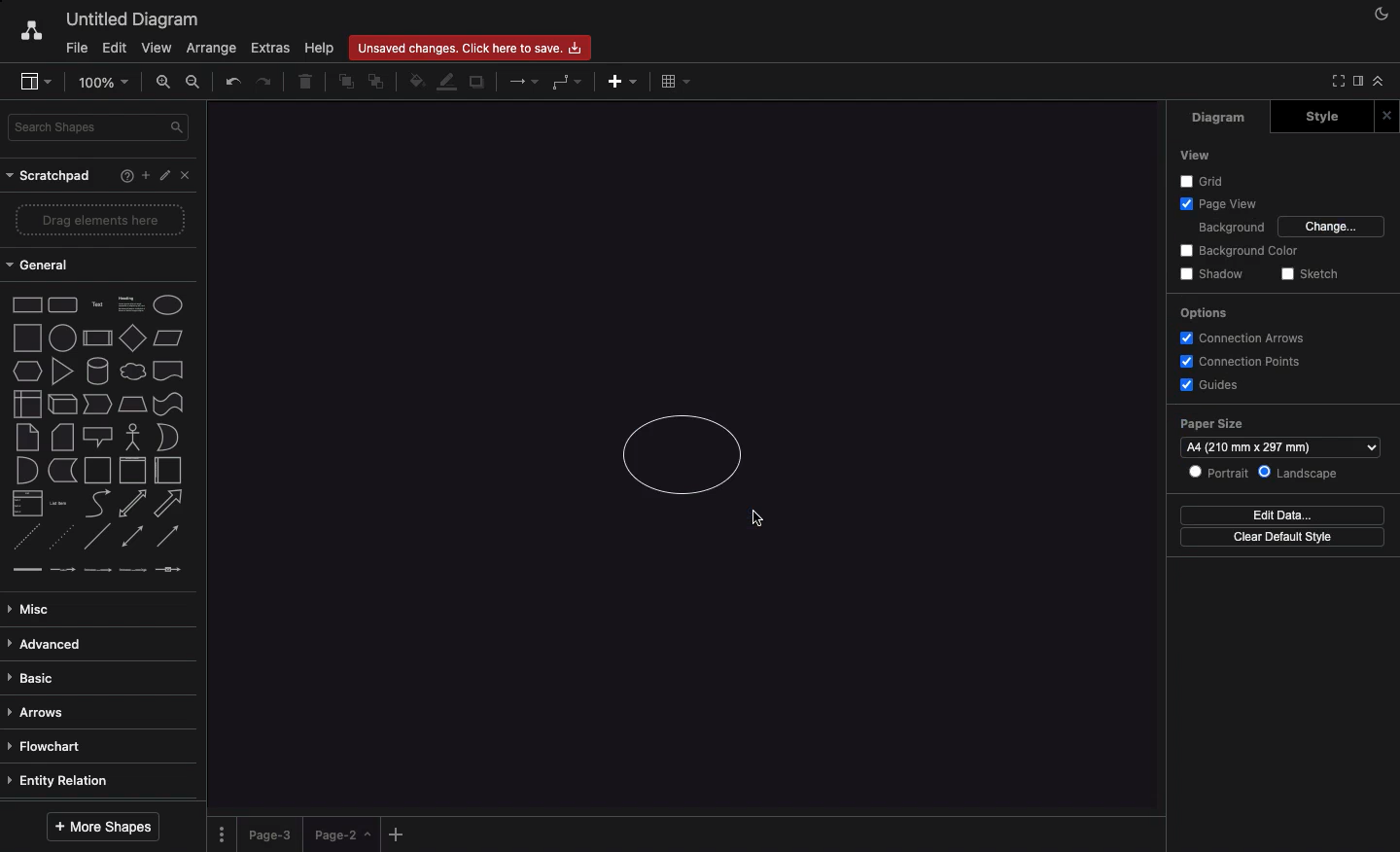  I want to click on Collapse, so click(1378, 81).